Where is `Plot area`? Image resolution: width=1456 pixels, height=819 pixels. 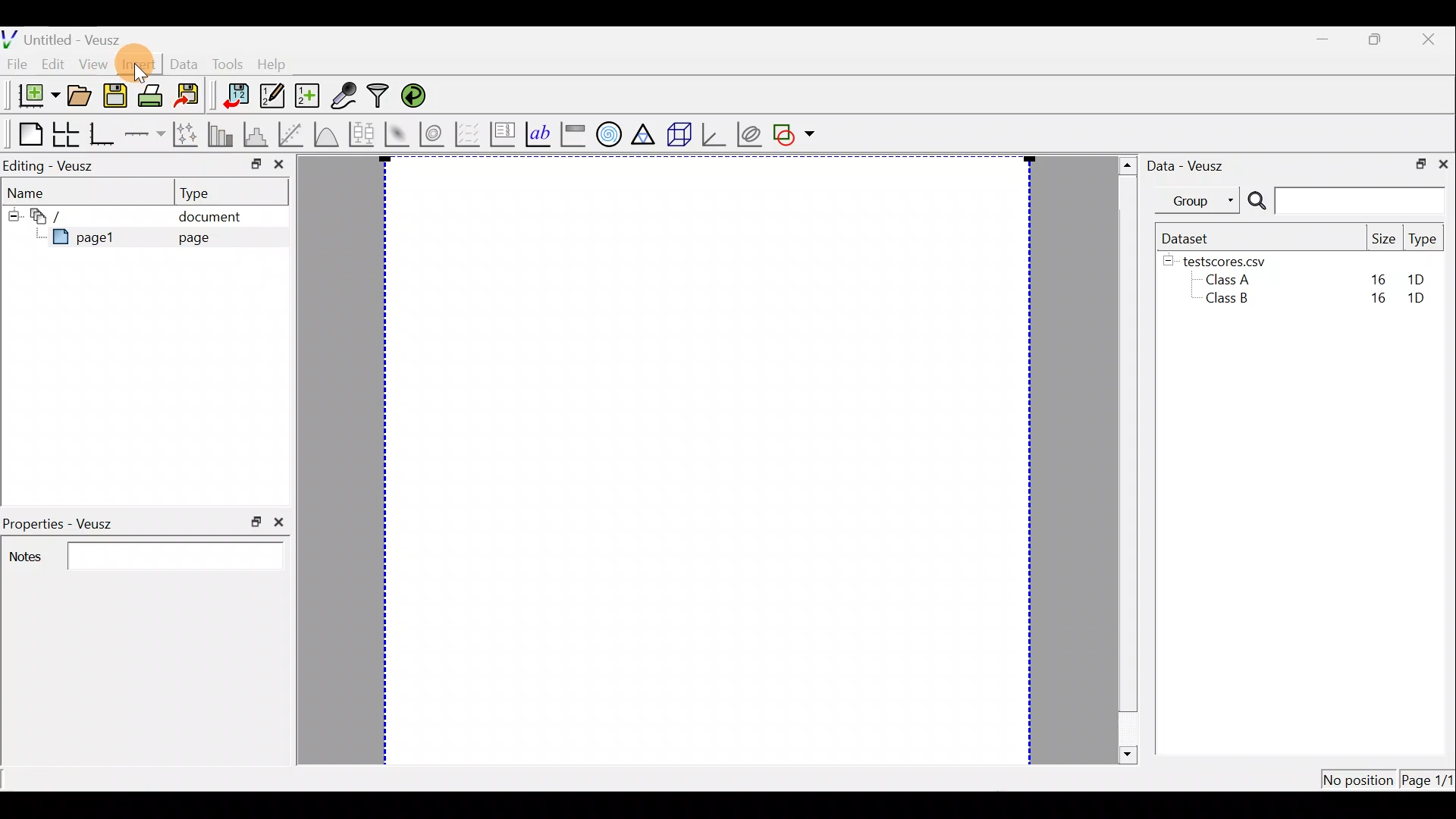 Plot area is located at coordinates (701, 461).